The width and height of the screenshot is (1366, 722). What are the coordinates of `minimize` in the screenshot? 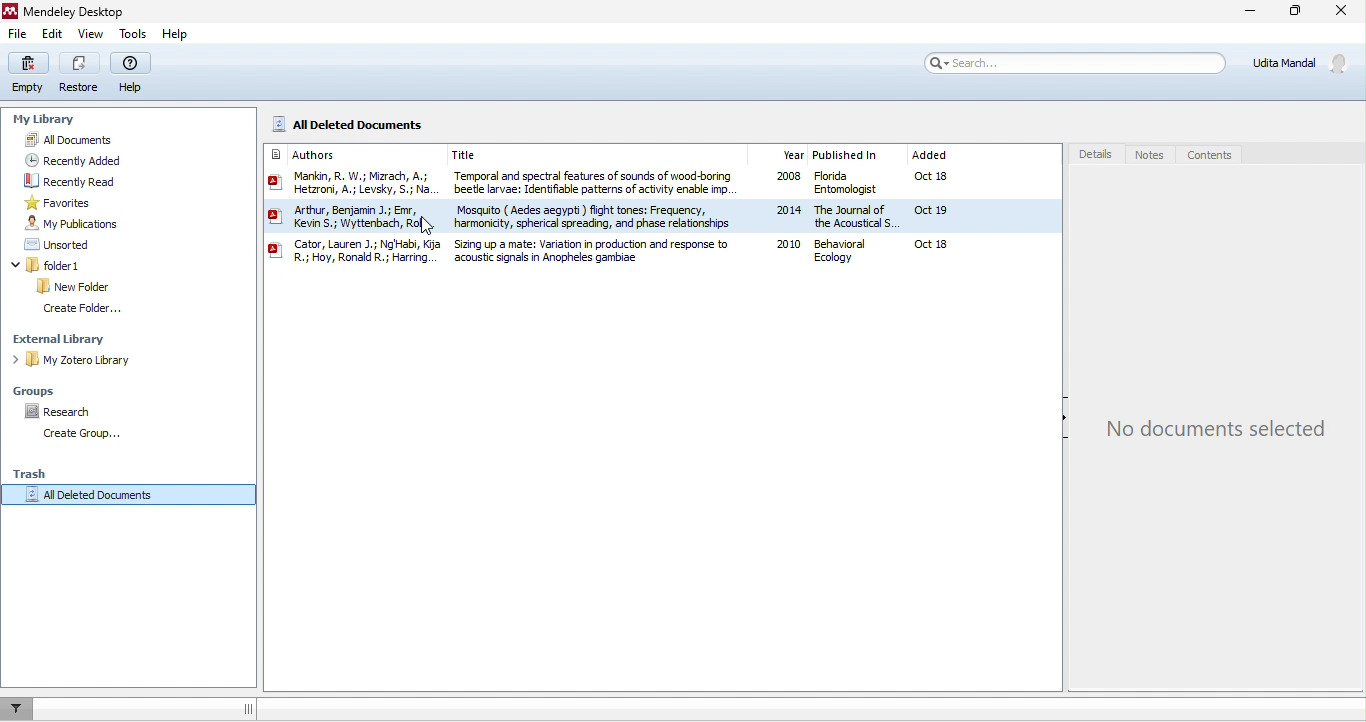 It's located at (1248, 12).